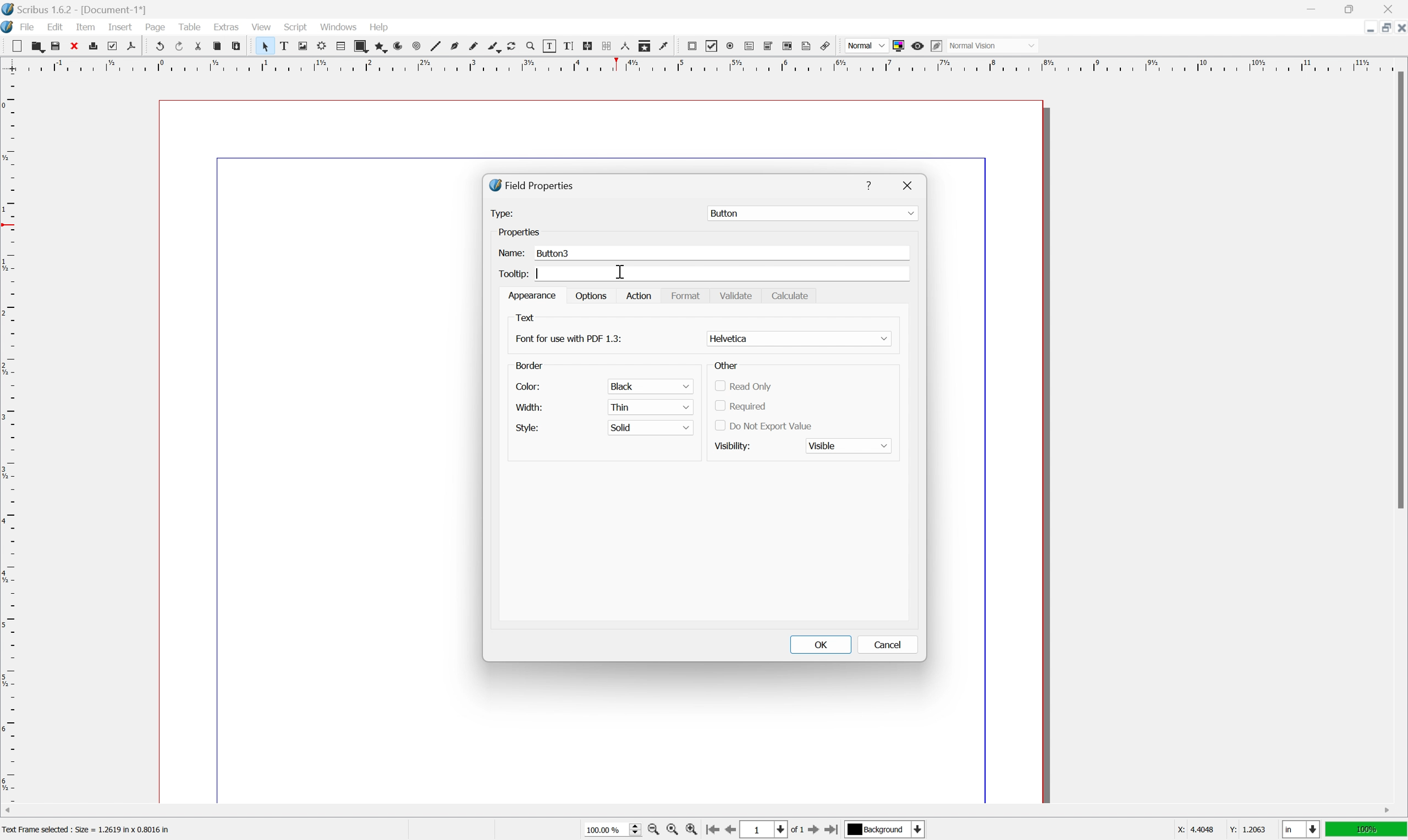 Image resolution: width=1408 pixels, height=840 pixels. What do you see at coordinates (772, 831) in the screenshot?
I see `select current page` at bounding box center [772, 831].